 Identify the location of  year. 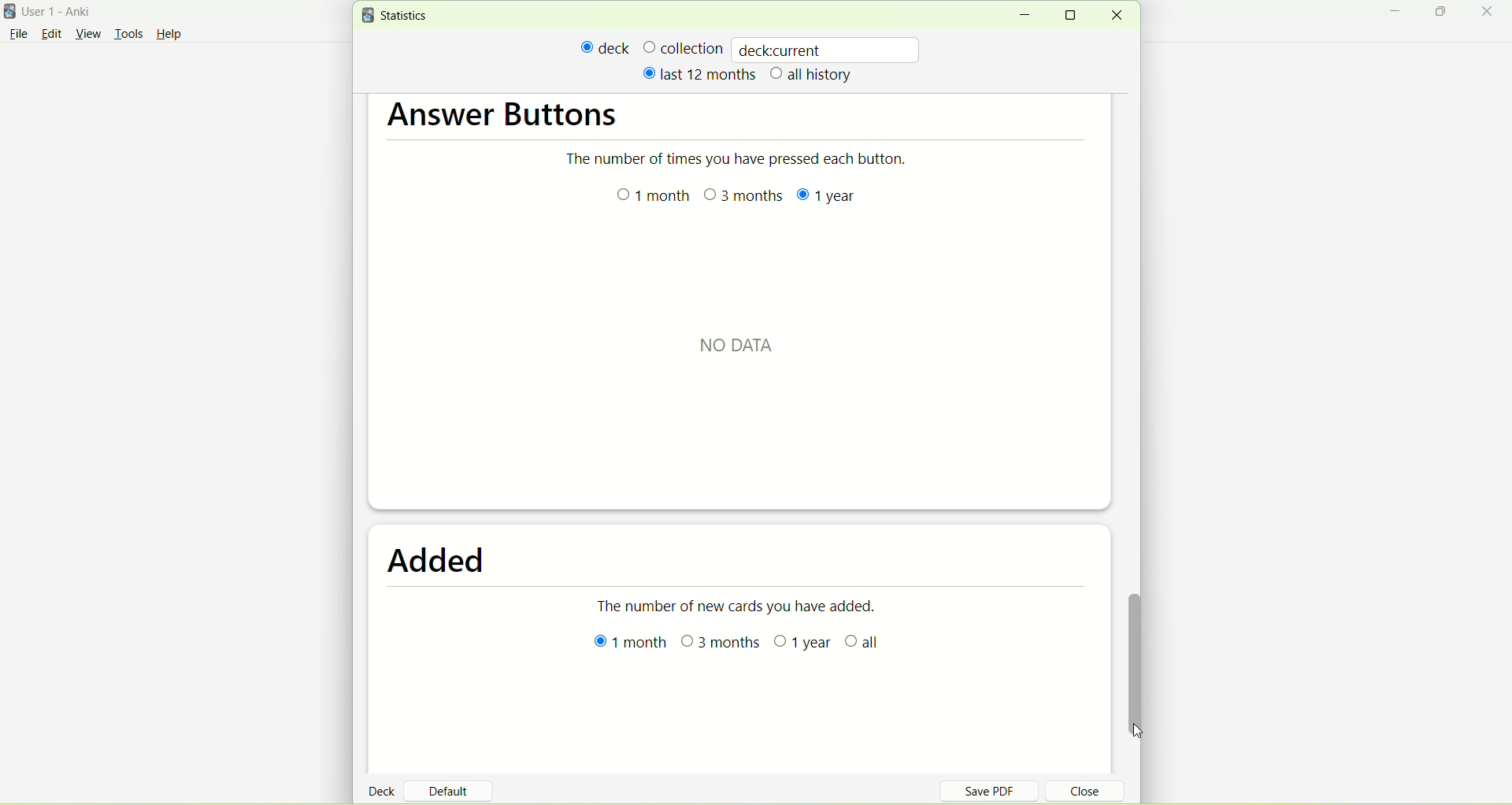
(821, 195).